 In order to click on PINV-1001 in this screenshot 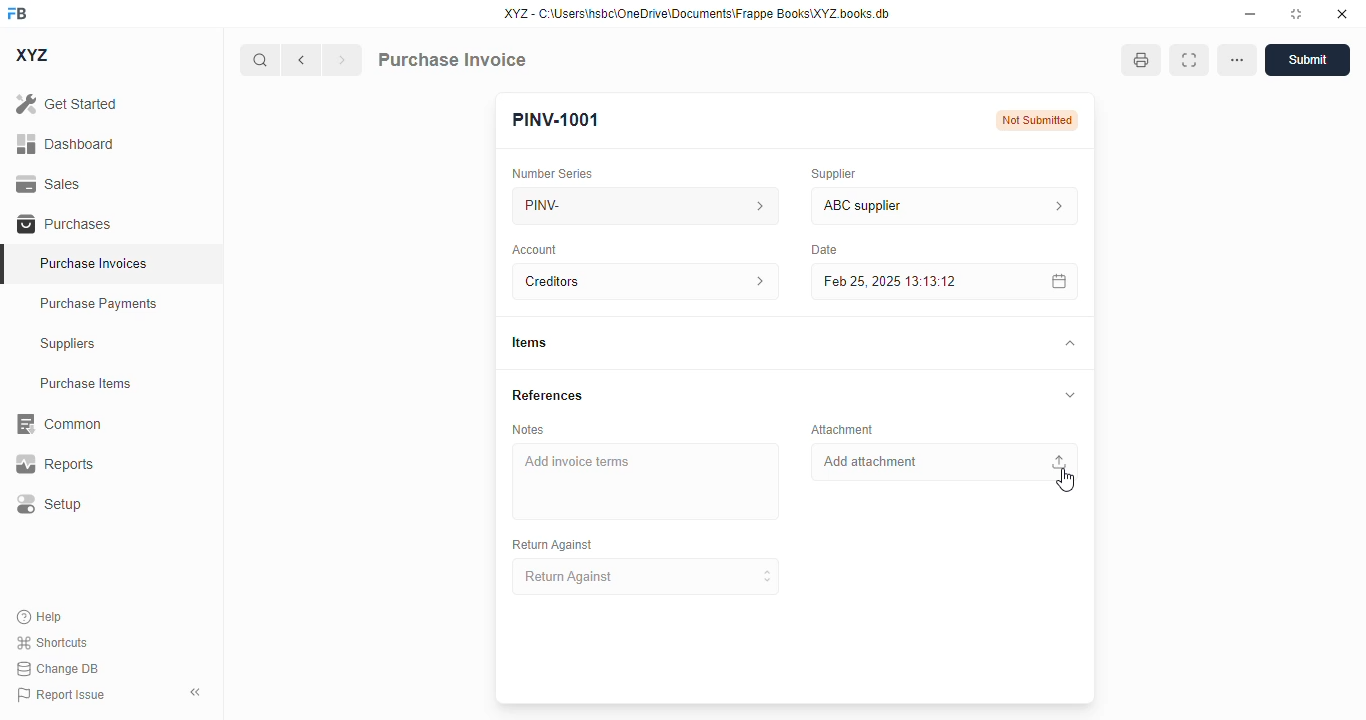, I will do `click(556, 120)`.